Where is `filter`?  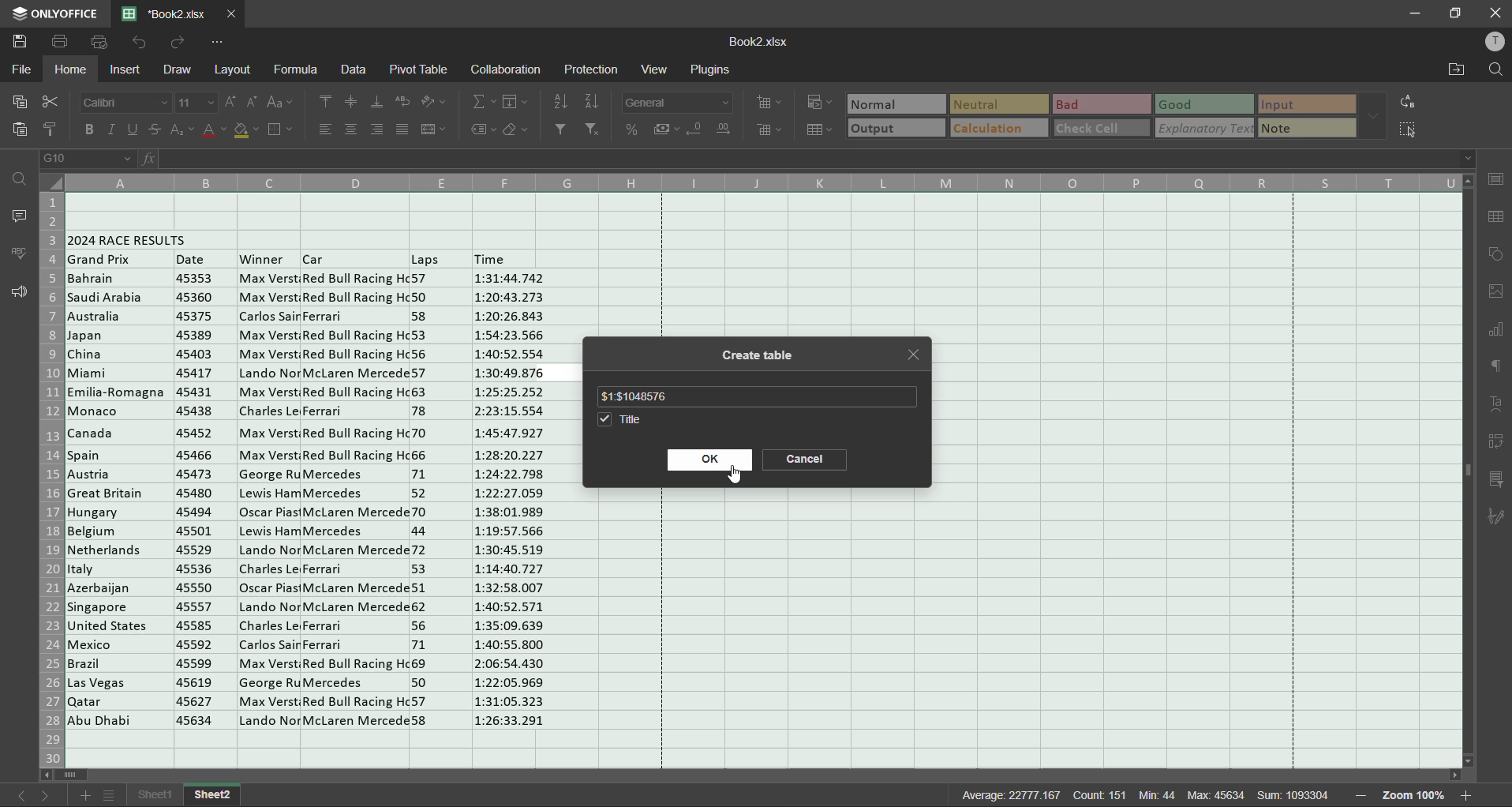 filter is located at coordinates (563, 129).